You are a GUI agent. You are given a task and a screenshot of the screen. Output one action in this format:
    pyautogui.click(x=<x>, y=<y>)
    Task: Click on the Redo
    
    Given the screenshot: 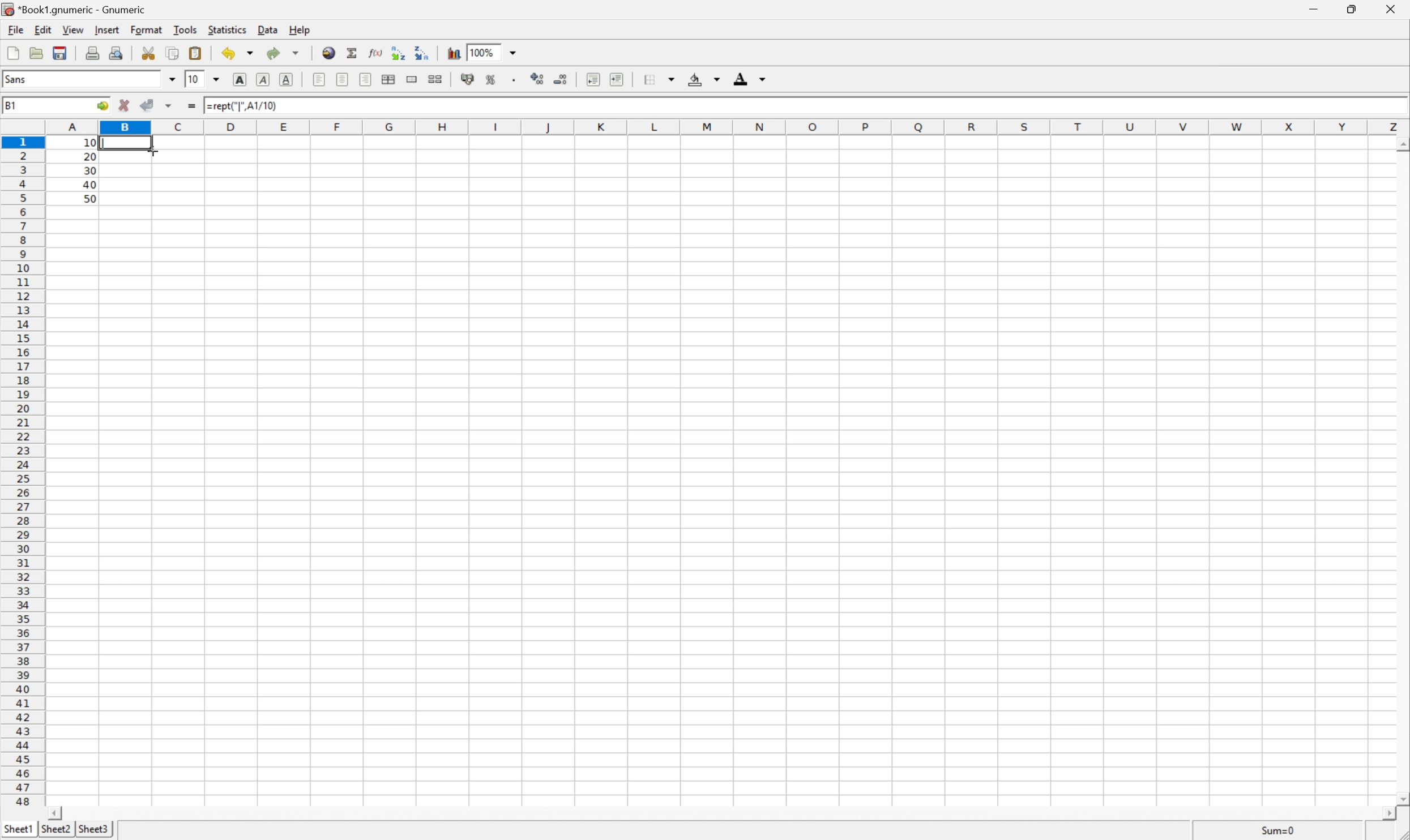 What is the action you would take?
    pyautogui.click(x=282, y=53)
    